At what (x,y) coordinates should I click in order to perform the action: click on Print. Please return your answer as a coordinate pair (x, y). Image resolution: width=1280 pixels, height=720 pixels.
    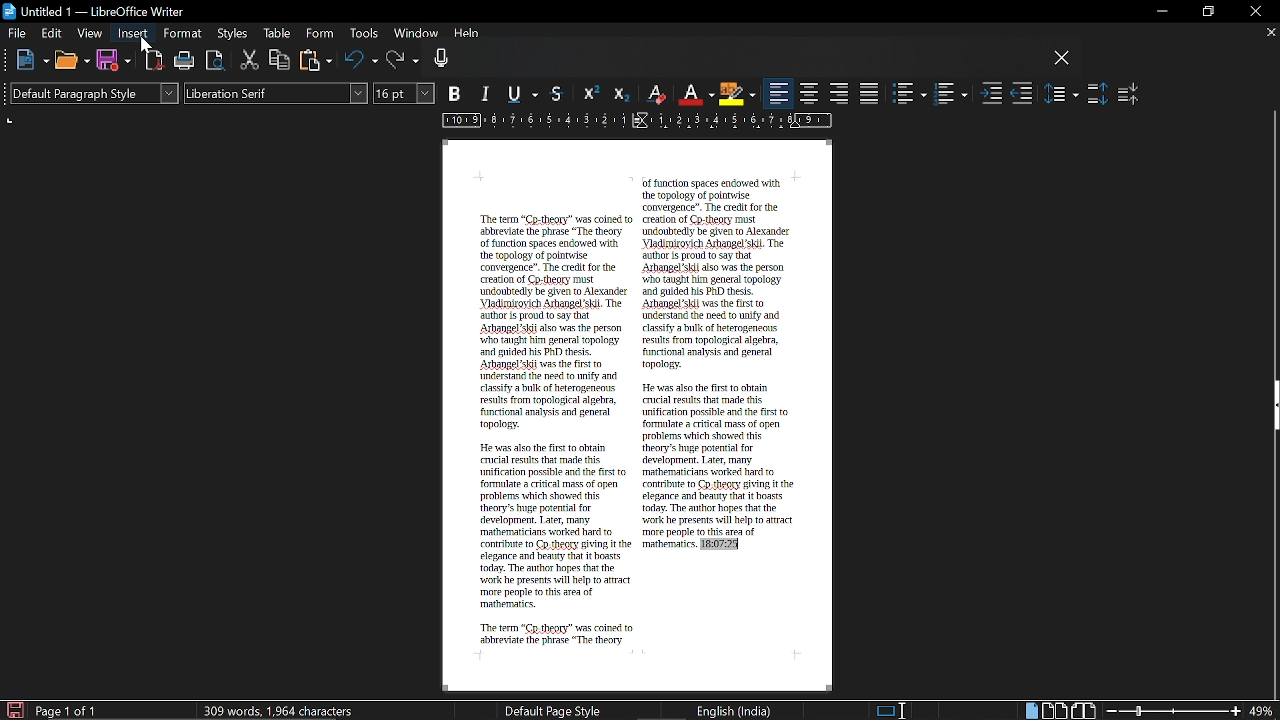
    Looking at the image, I should click on (186, 62).